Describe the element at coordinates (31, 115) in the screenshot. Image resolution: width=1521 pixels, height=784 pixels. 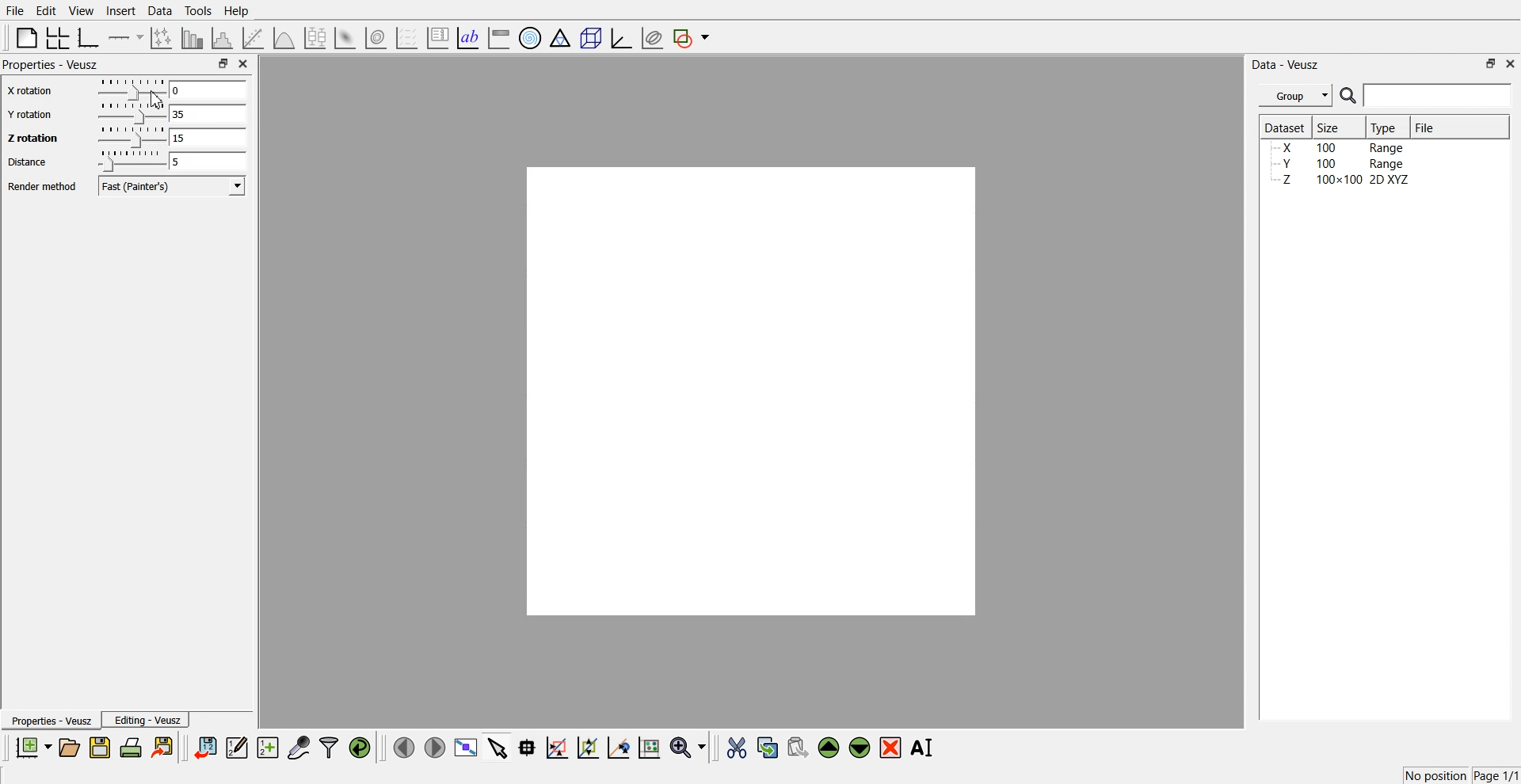
I see `Y rotation` at that location.